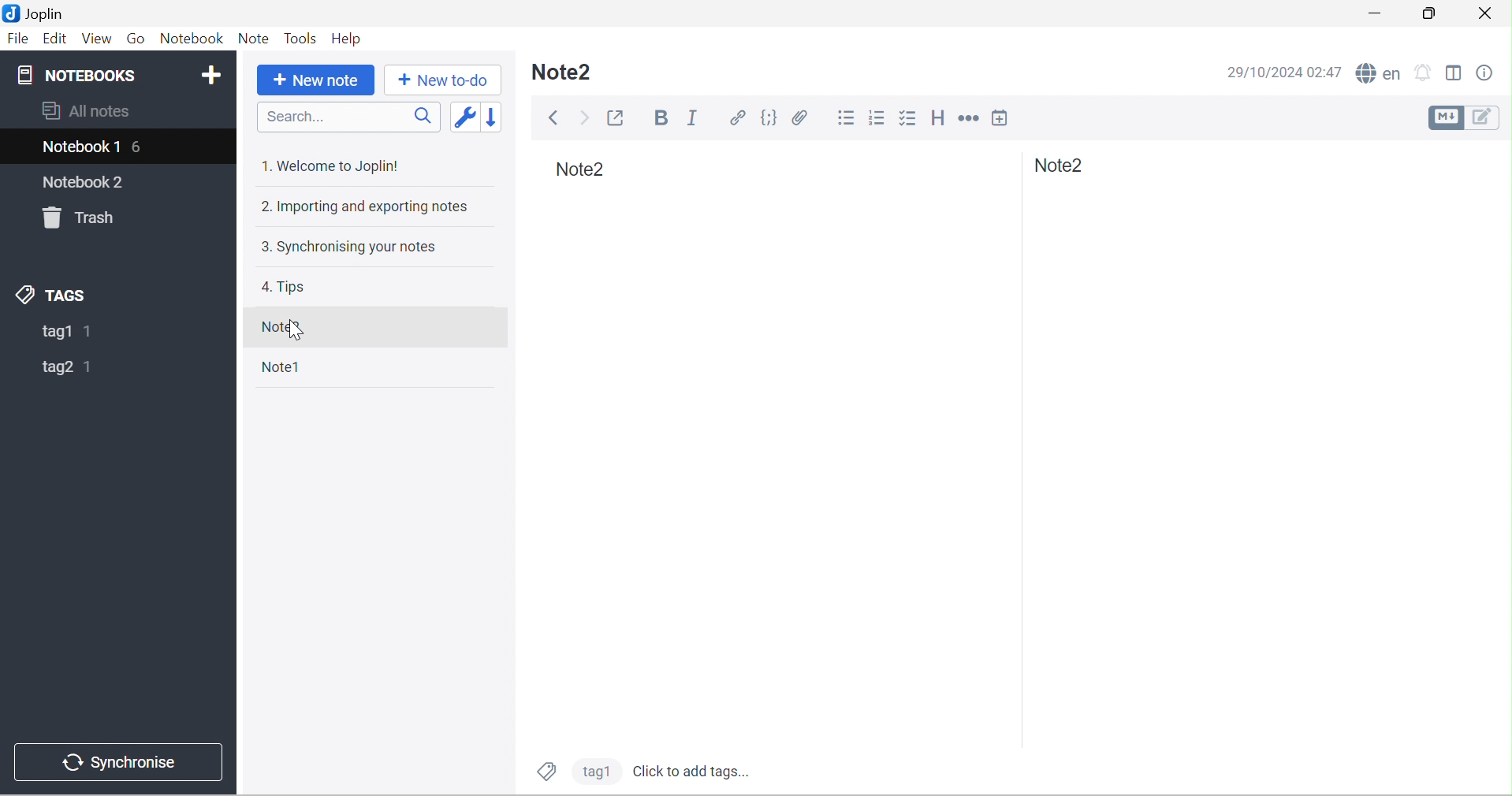 The height and width of the screenshot is (796, 1512). What do you see at coordinates (563, 75) in the screenshot?
I see `Note1` at bounding box center [563, 75].